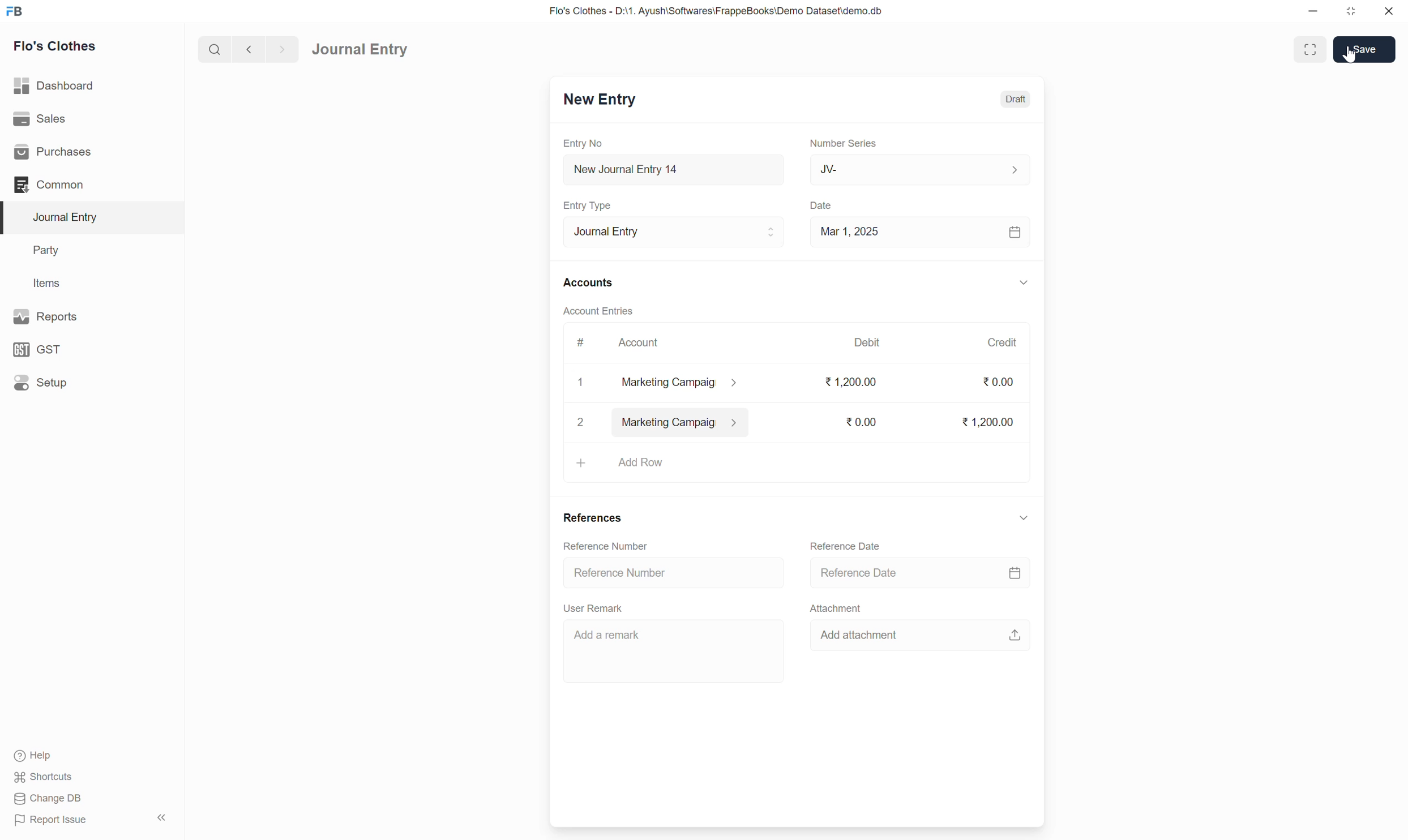 This screenshot has width=1408, height=840. I want to click on Add attachment, so click(868, 636).